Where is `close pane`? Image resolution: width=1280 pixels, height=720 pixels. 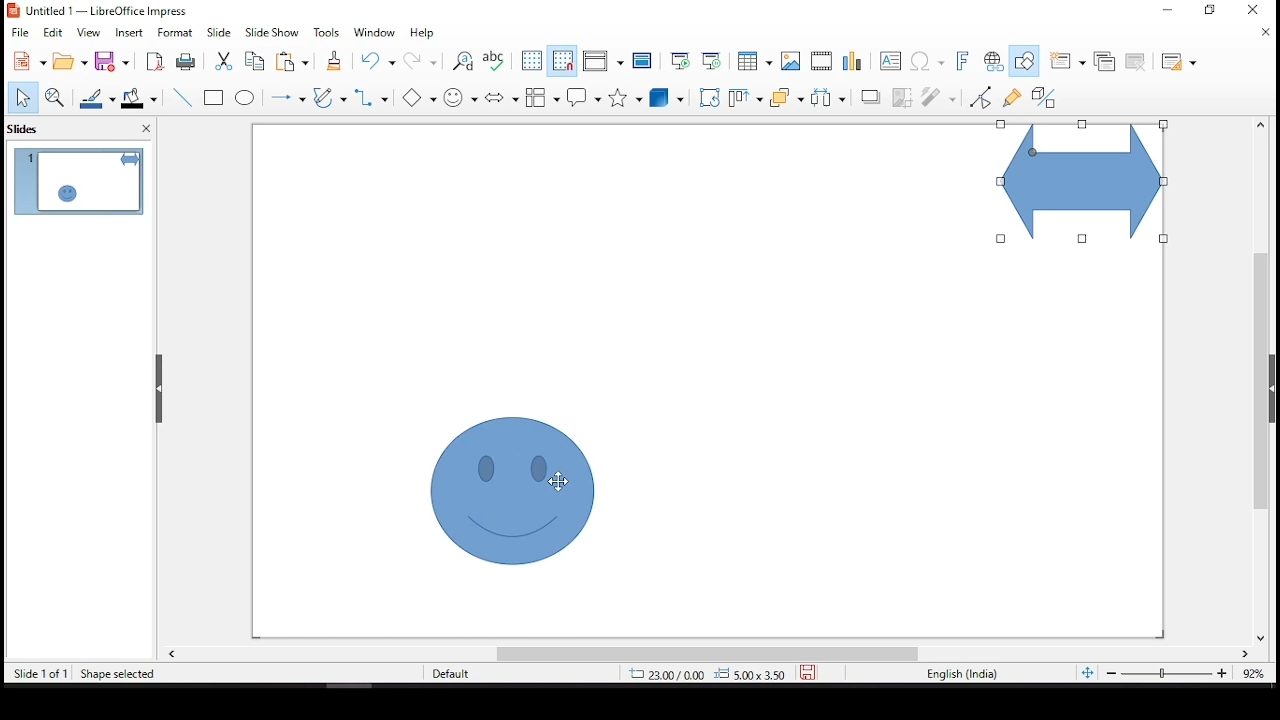
close pane is located at coordinates (143, 131).